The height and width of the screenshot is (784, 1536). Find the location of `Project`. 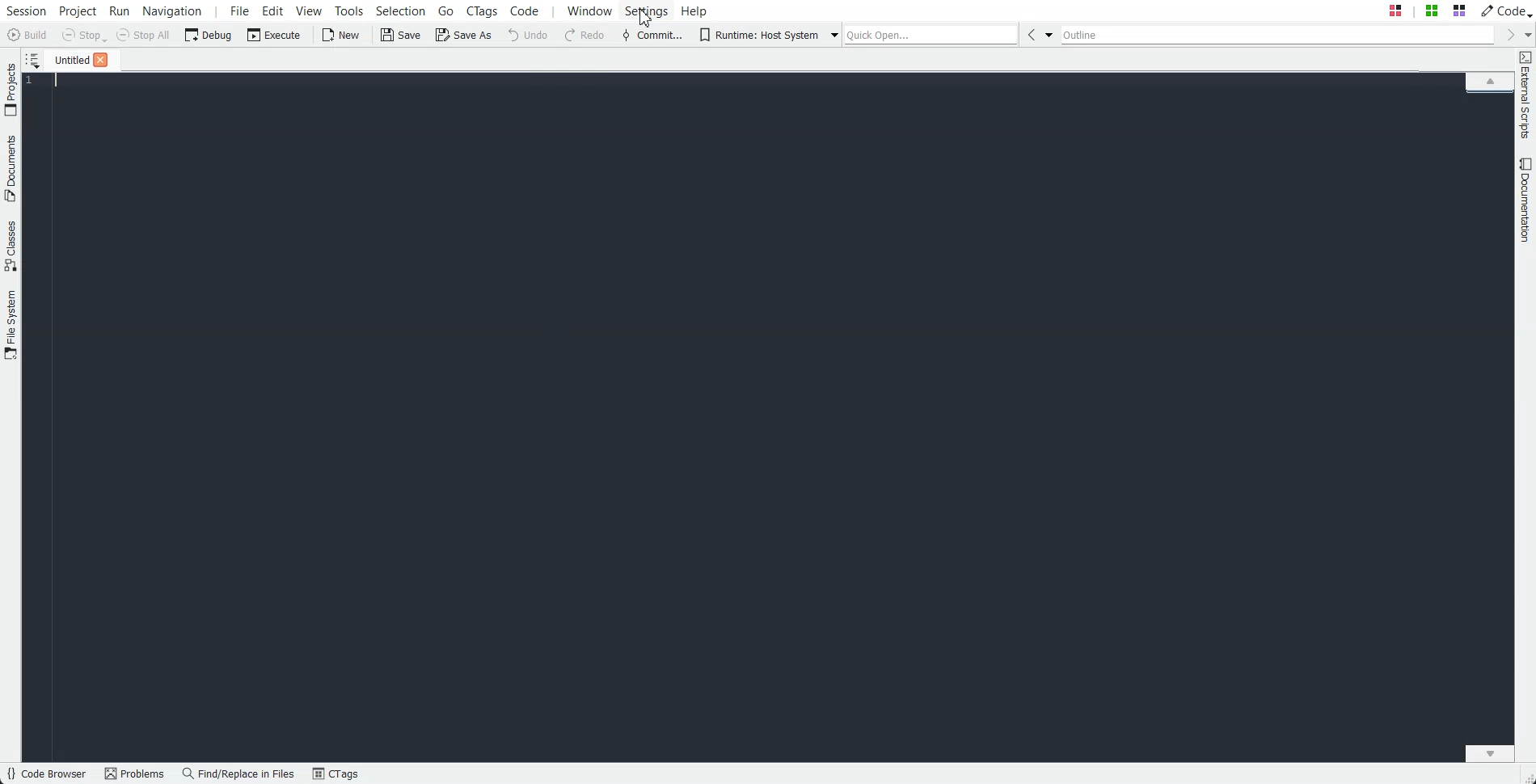

Project is located at coordinates (11, 89).